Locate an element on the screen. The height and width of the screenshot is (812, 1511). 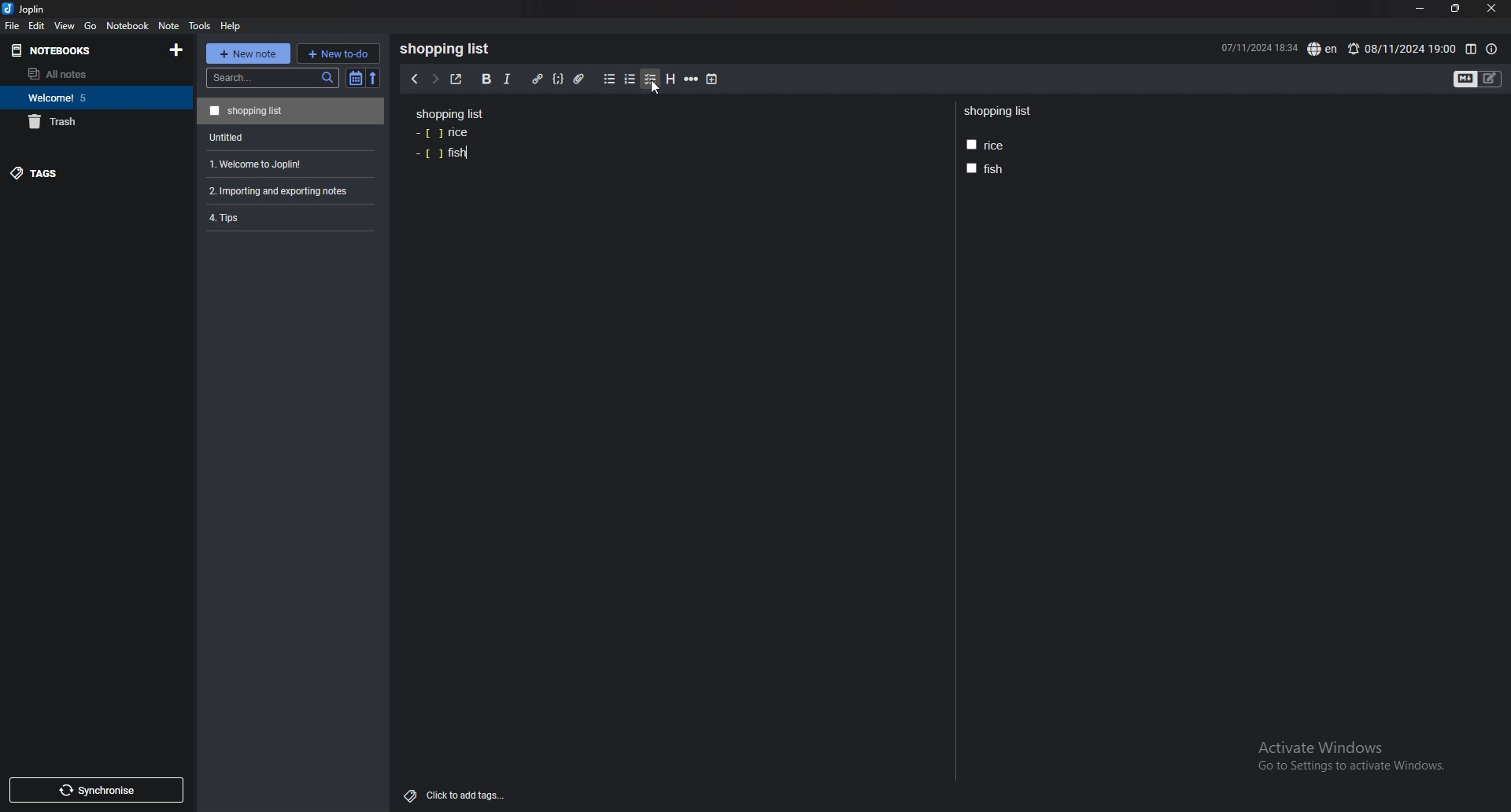
note is located at coordinates (170, 26).